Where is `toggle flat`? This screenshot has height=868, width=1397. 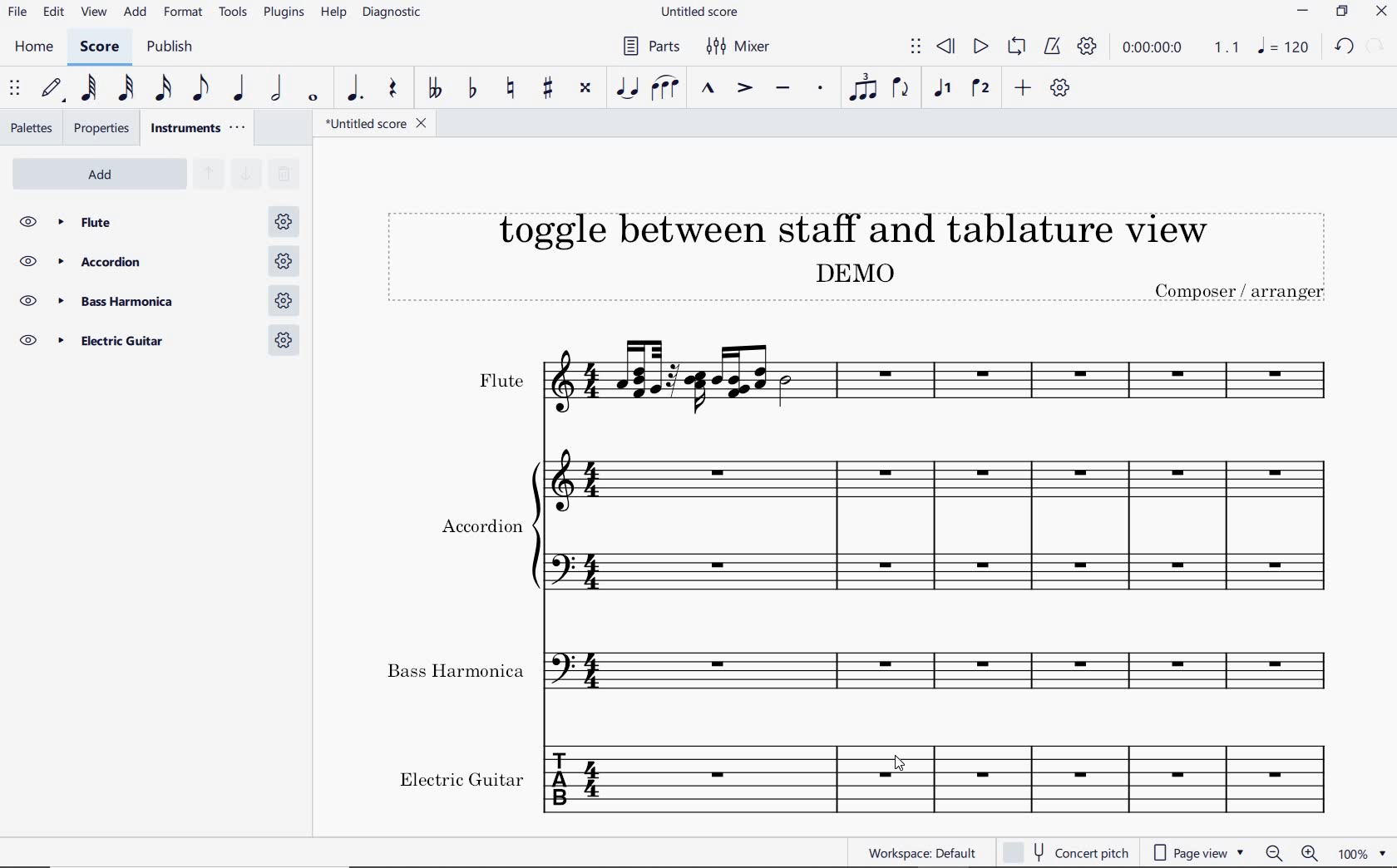
toggle flat is located at coordinates (473, 88).